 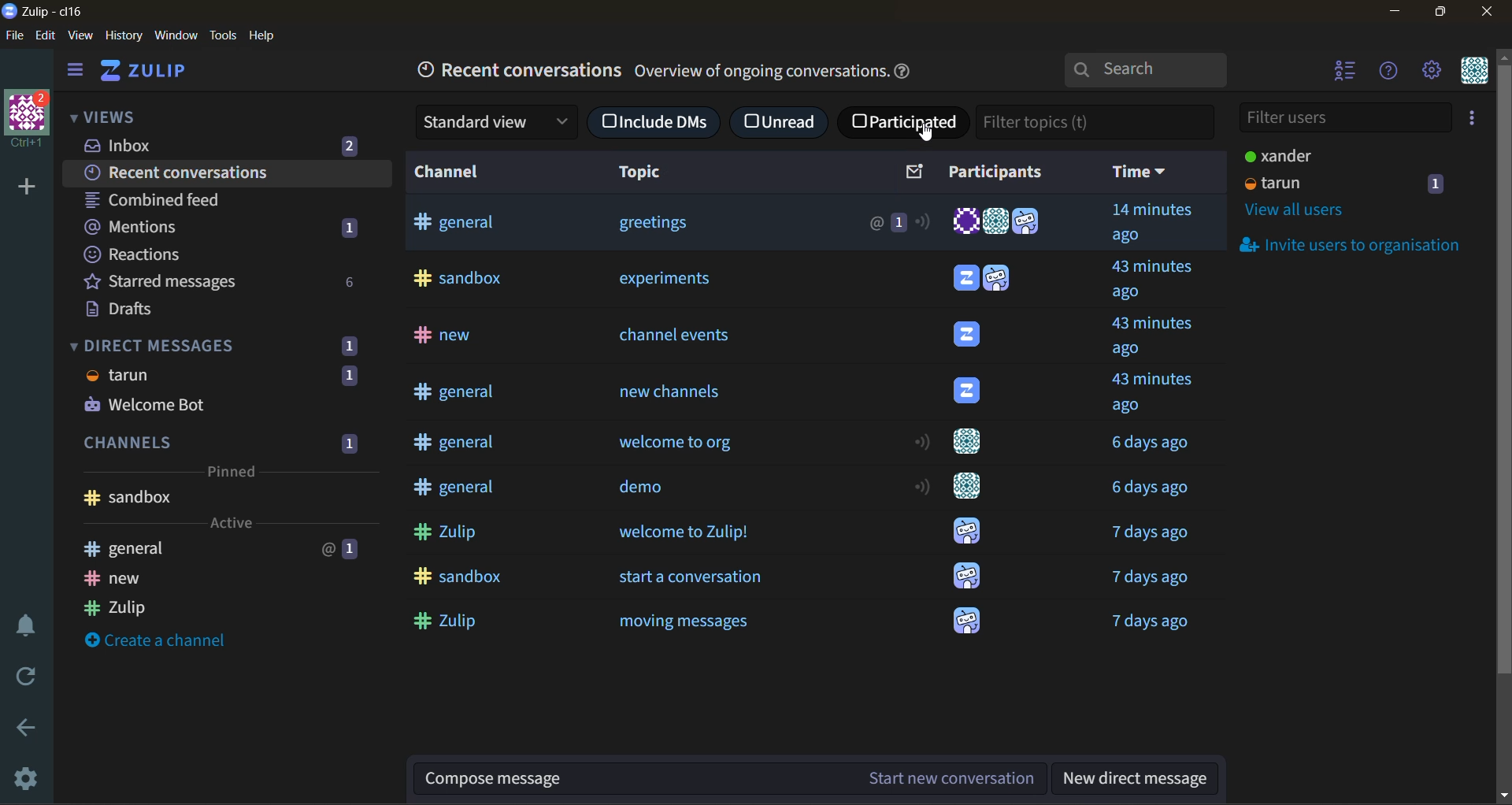 What do you see at coordinates (1148, 66) in the screenshot?
I see `search` at bounding box center [1148, 66].